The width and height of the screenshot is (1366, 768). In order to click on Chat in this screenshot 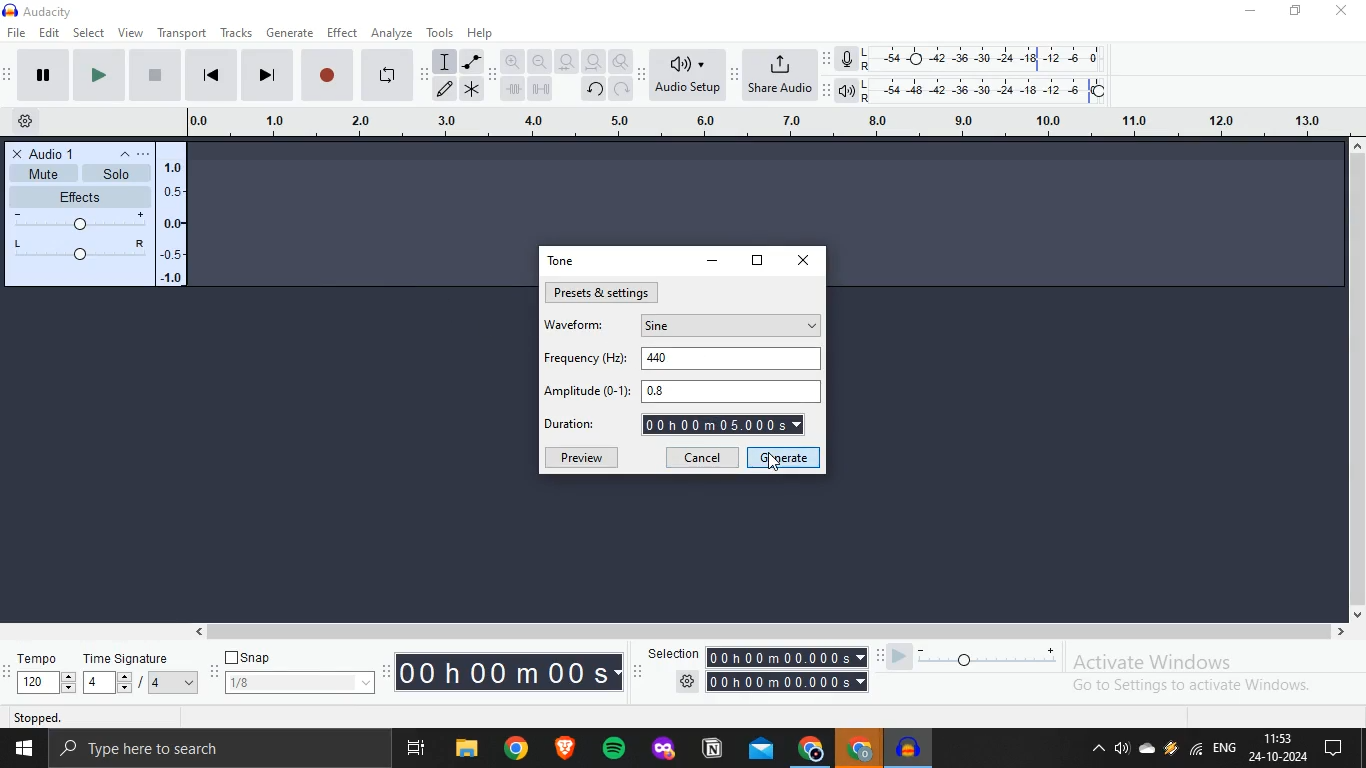, I will do `click(1343, 749)`.